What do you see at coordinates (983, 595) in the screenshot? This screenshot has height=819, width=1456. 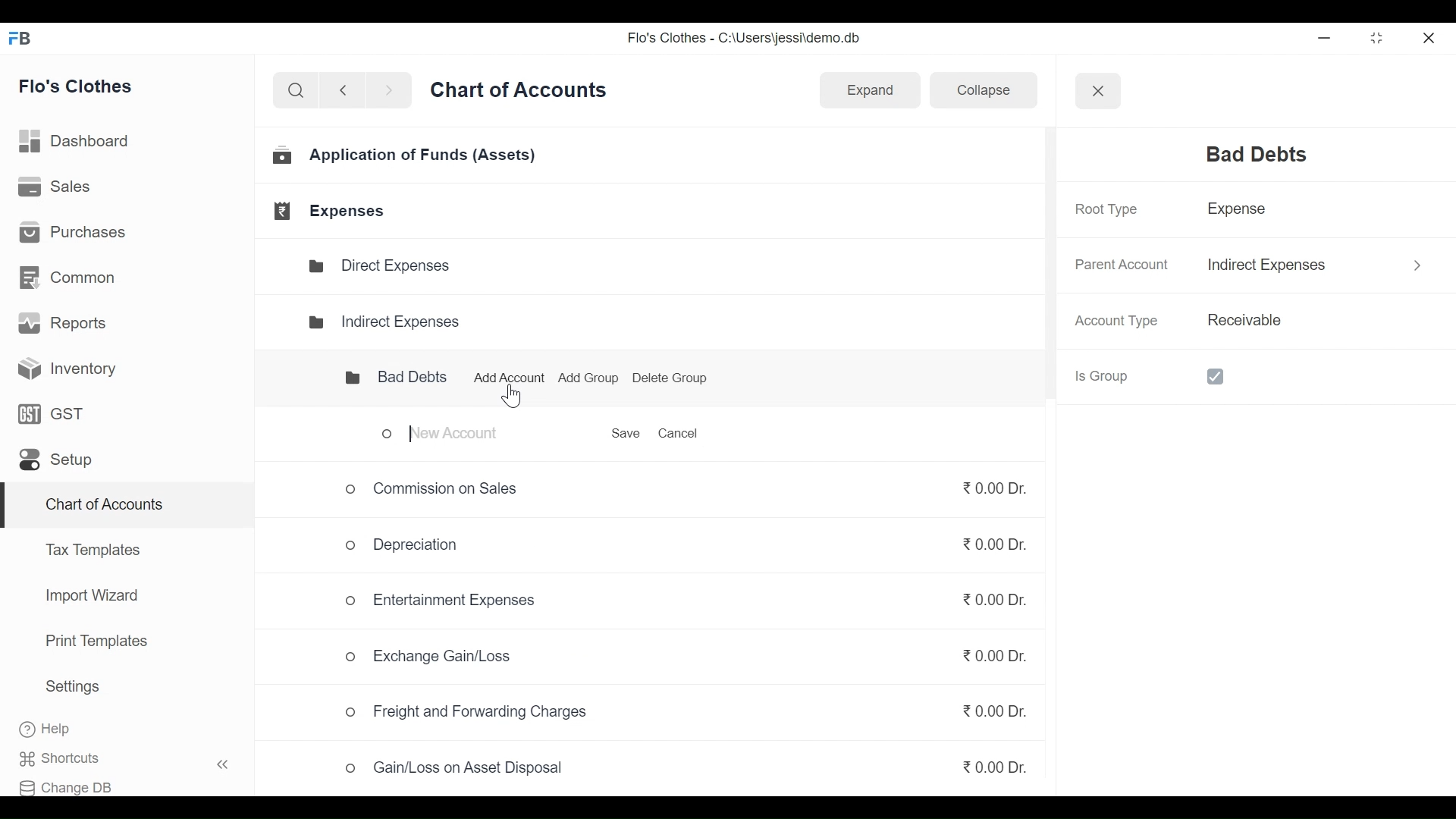 I see `₹0.00 Dr.` at bounding box center [983, 595].